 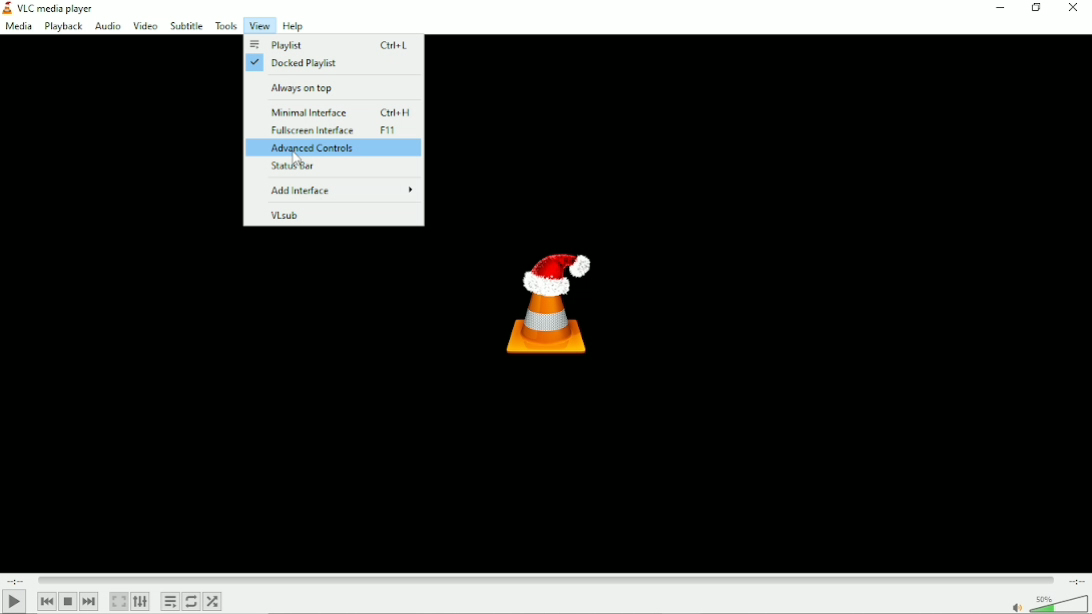 What do you see at coordinates (192, 603) in the screenshot?
I see `Toggle between loop all, loop one and no loop` at bounding box center [192, 603].